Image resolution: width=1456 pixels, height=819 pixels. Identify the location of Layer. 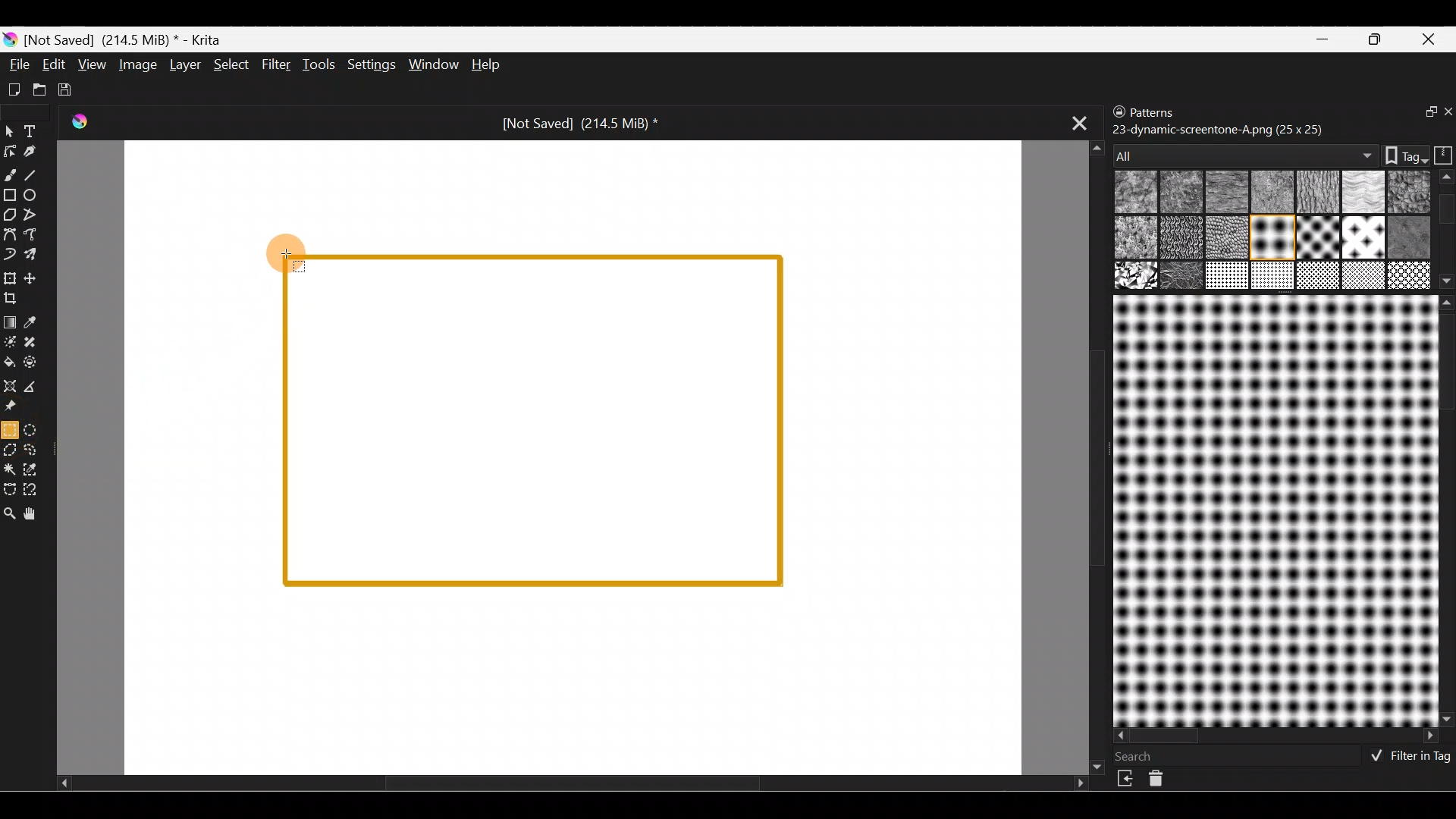
(184, 64).